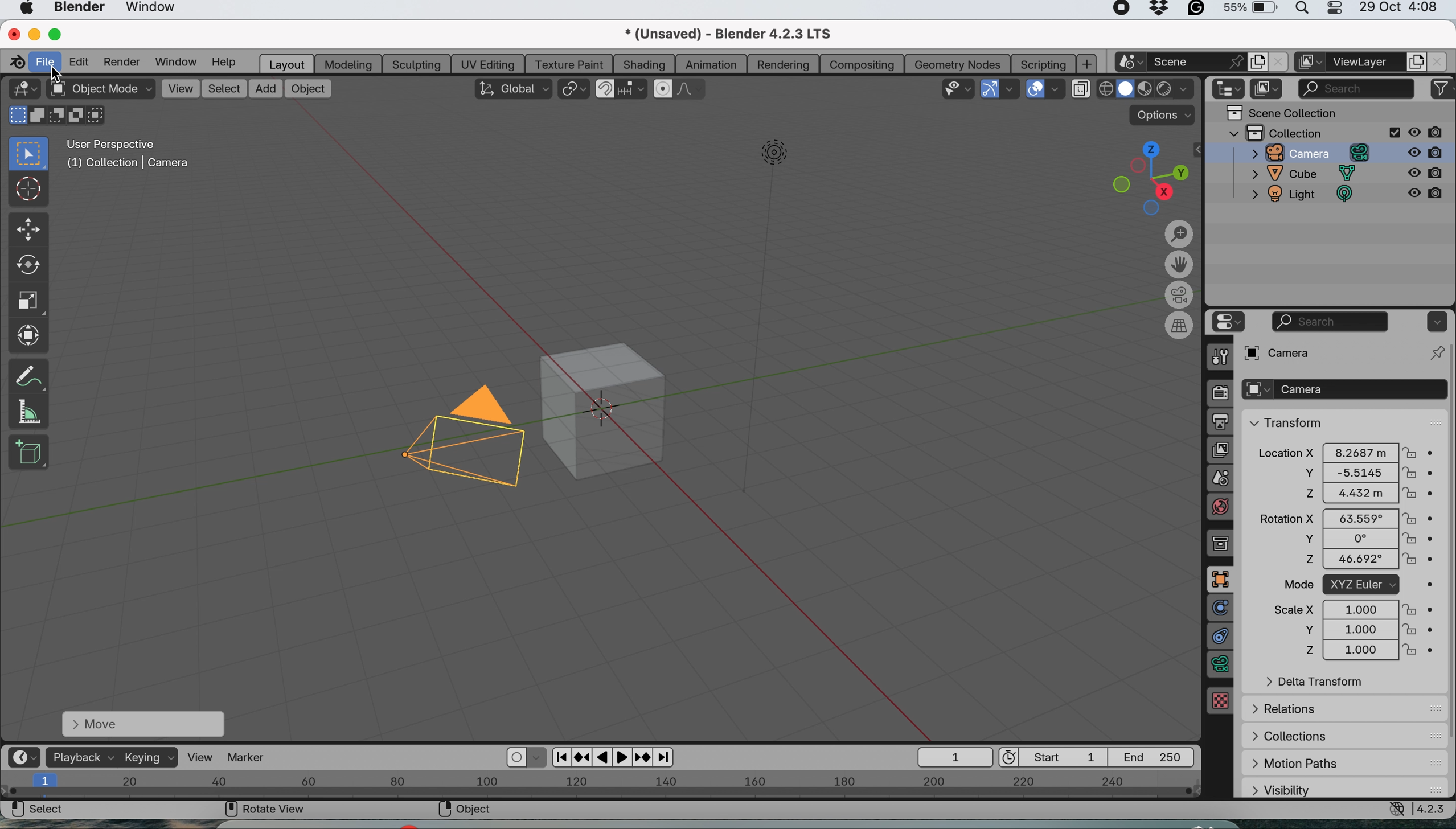 Image resolution: width=1456 pixels, height=829 pixels. I want to click on annotate, so click(26, 375).